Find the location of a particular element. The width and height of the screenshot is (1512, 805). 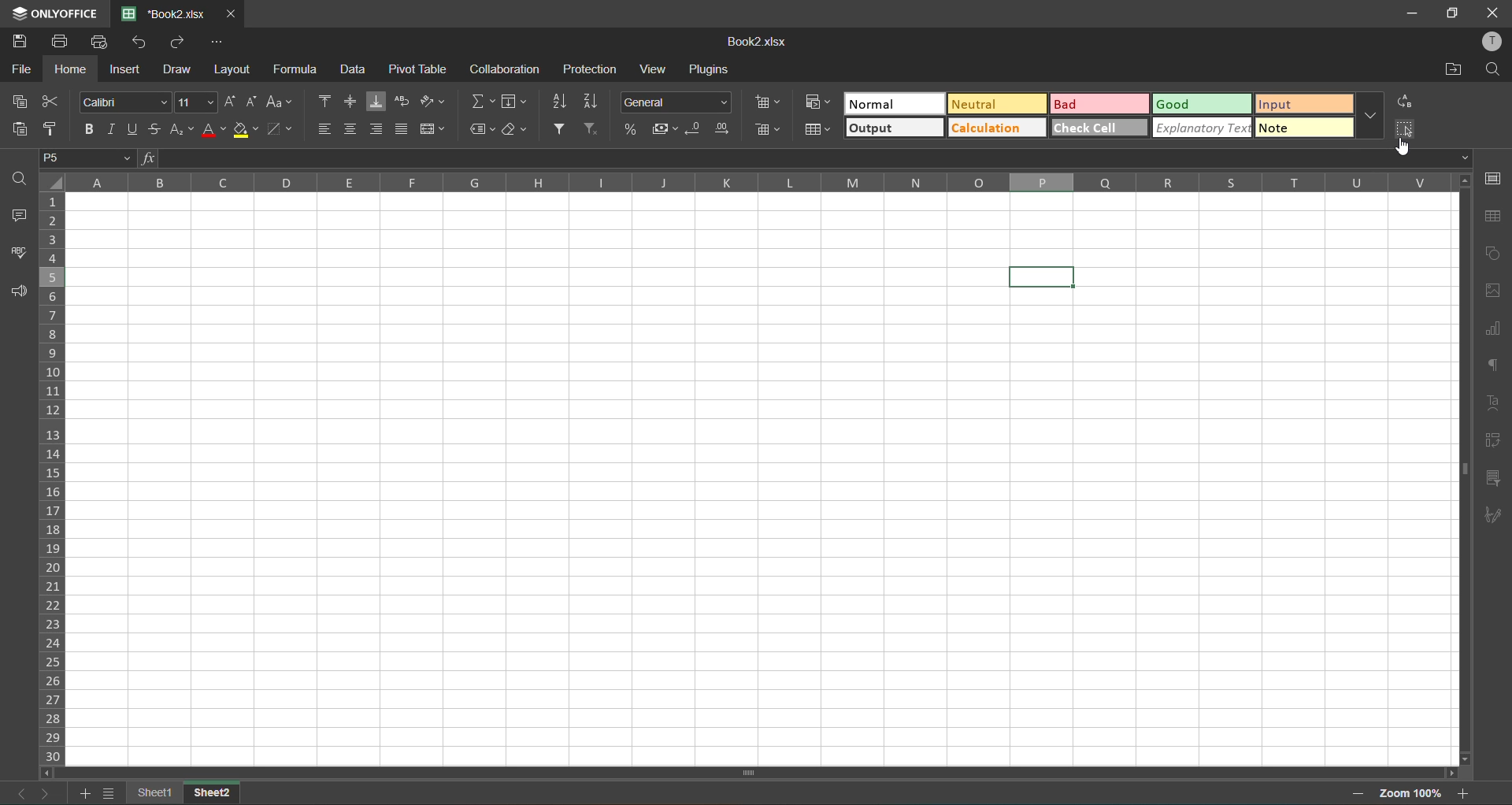

formula is located at coordinates (298, 72).